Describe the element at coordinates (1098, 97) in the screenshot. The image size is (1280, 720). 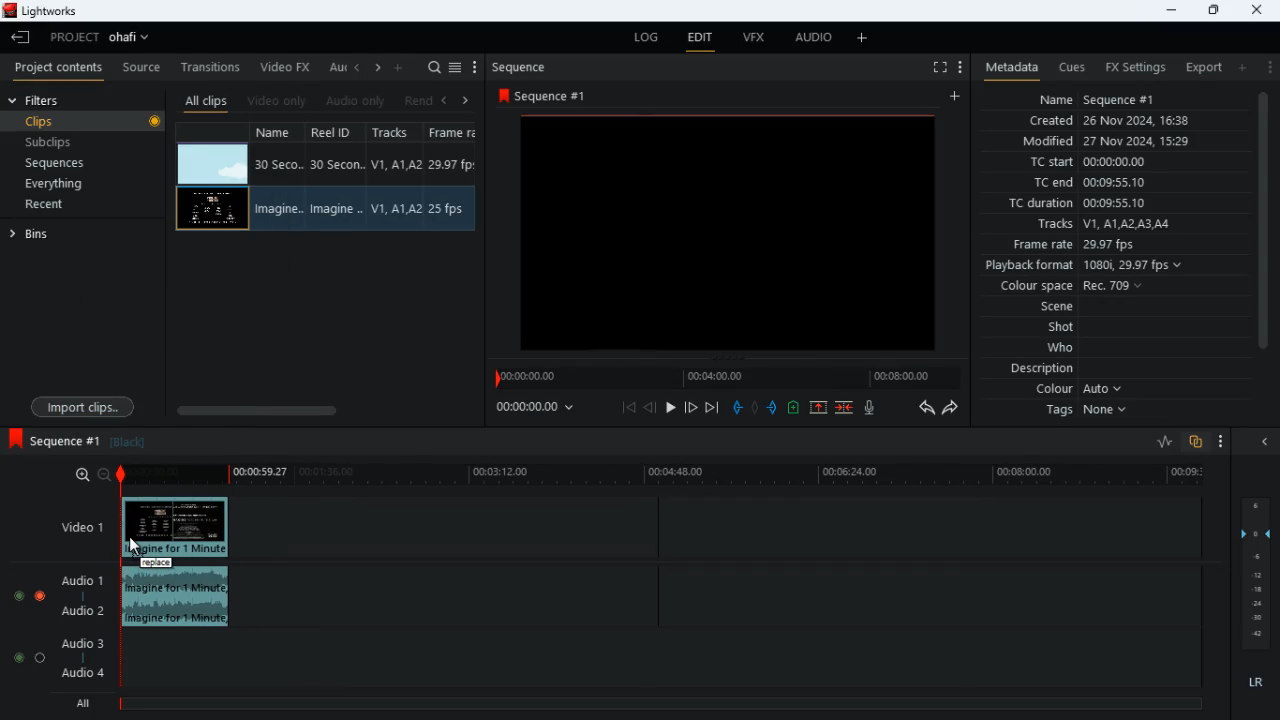
I see `name` at that location.